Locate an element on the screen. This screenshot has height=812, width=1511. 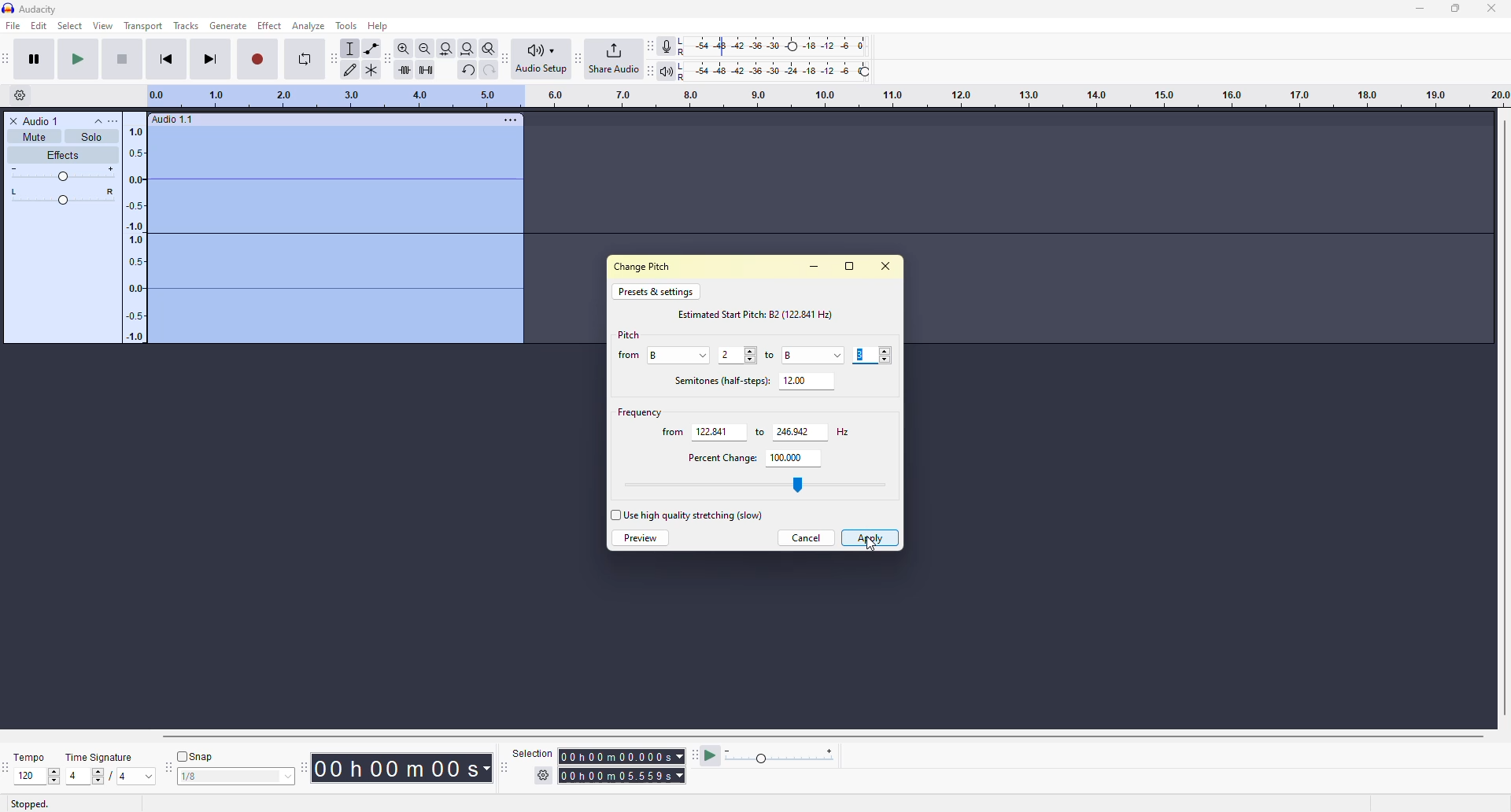
maximize is located at coordinates (848, 266).